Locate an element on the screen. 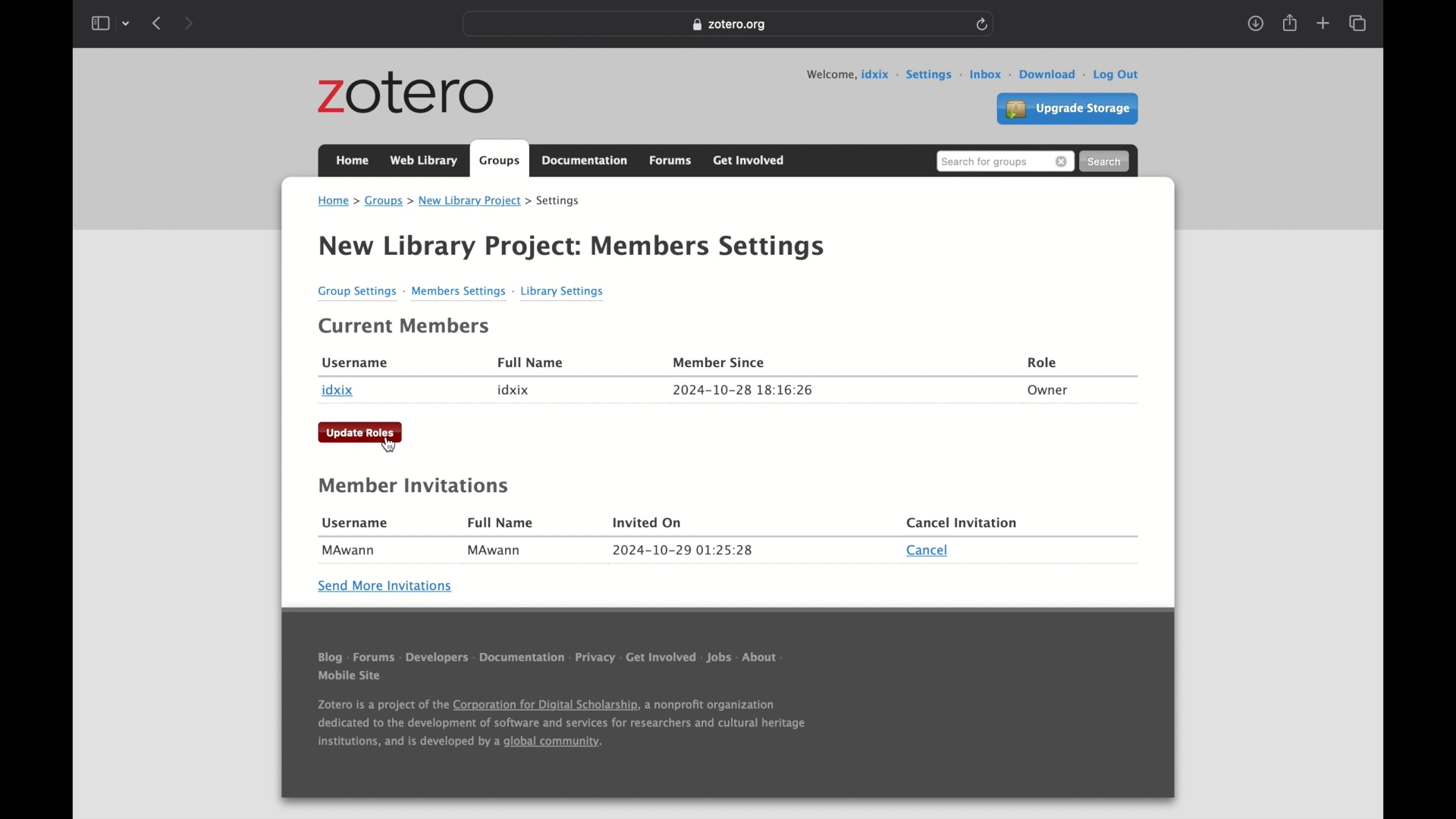 The height and width of the screenshot is (819, 1456). show downloads is located at coordinates (1254, 24).